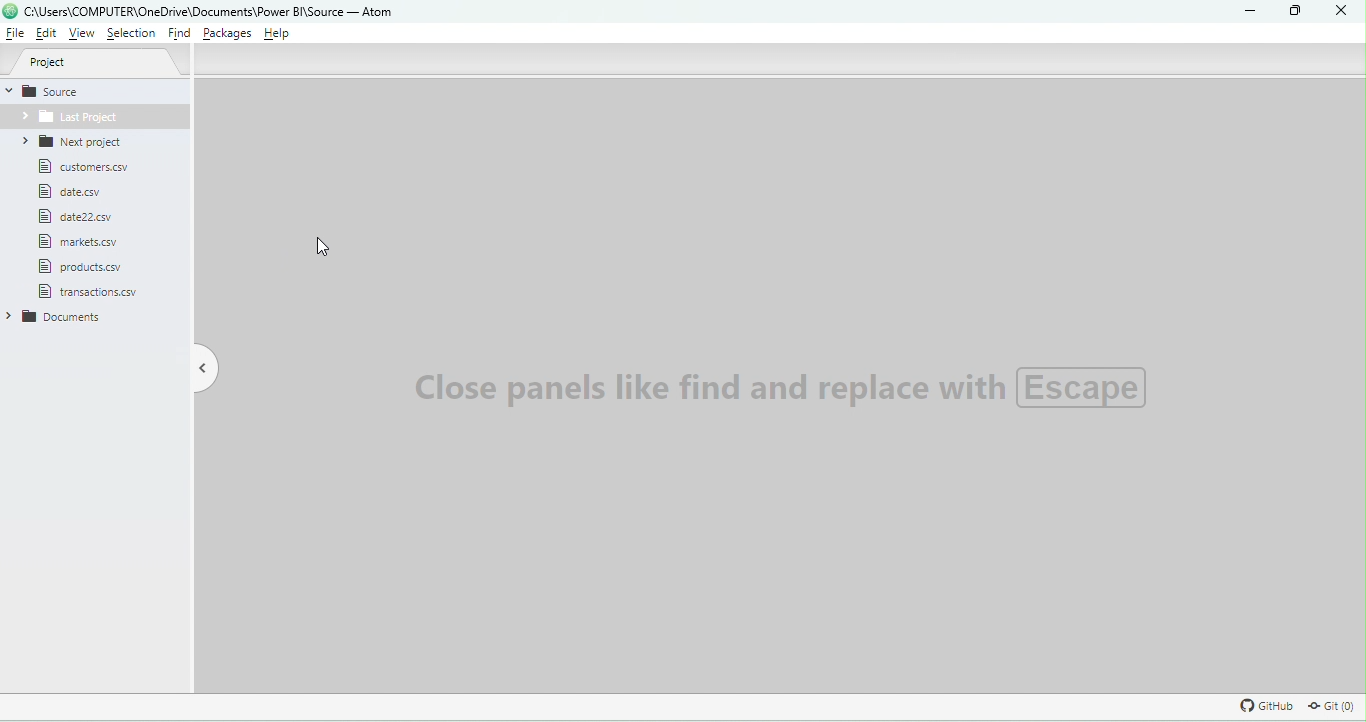  I want to click on Next project, so click(89, 143).